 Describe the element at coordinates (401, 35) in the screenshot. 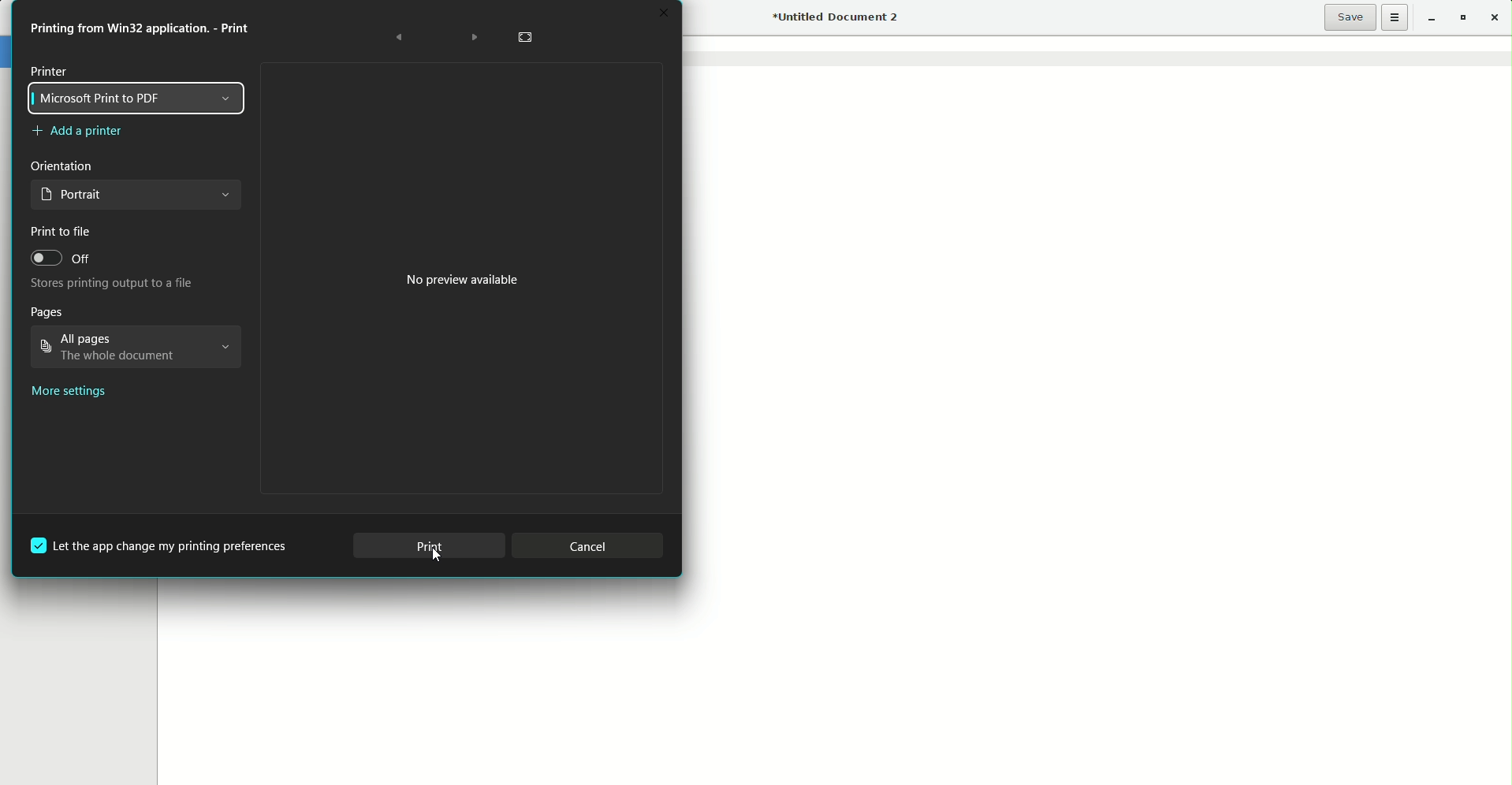

I see `Previous page` at that location.